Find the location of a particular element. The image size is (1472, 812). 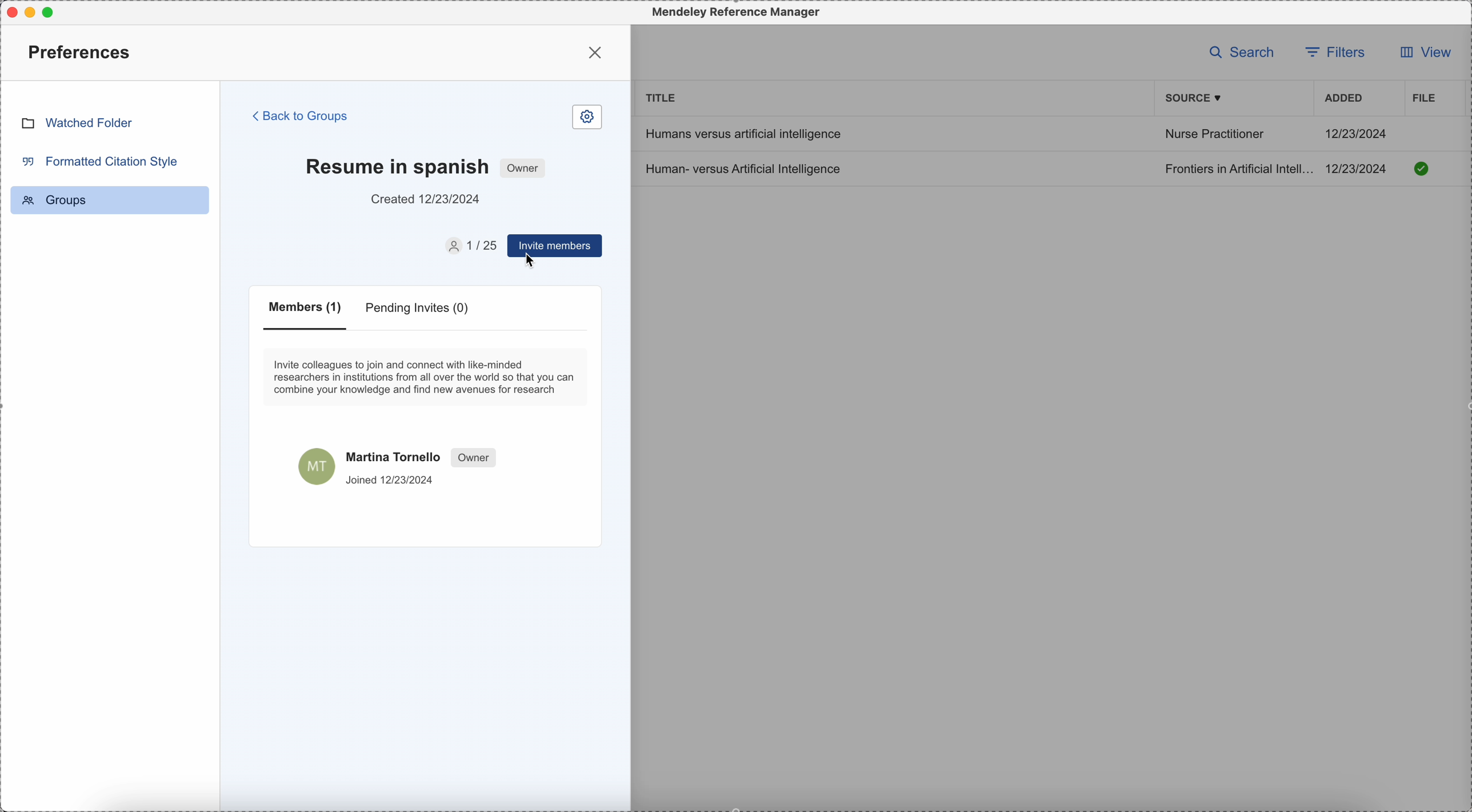

watched folder is located at coordinates (77, 122).